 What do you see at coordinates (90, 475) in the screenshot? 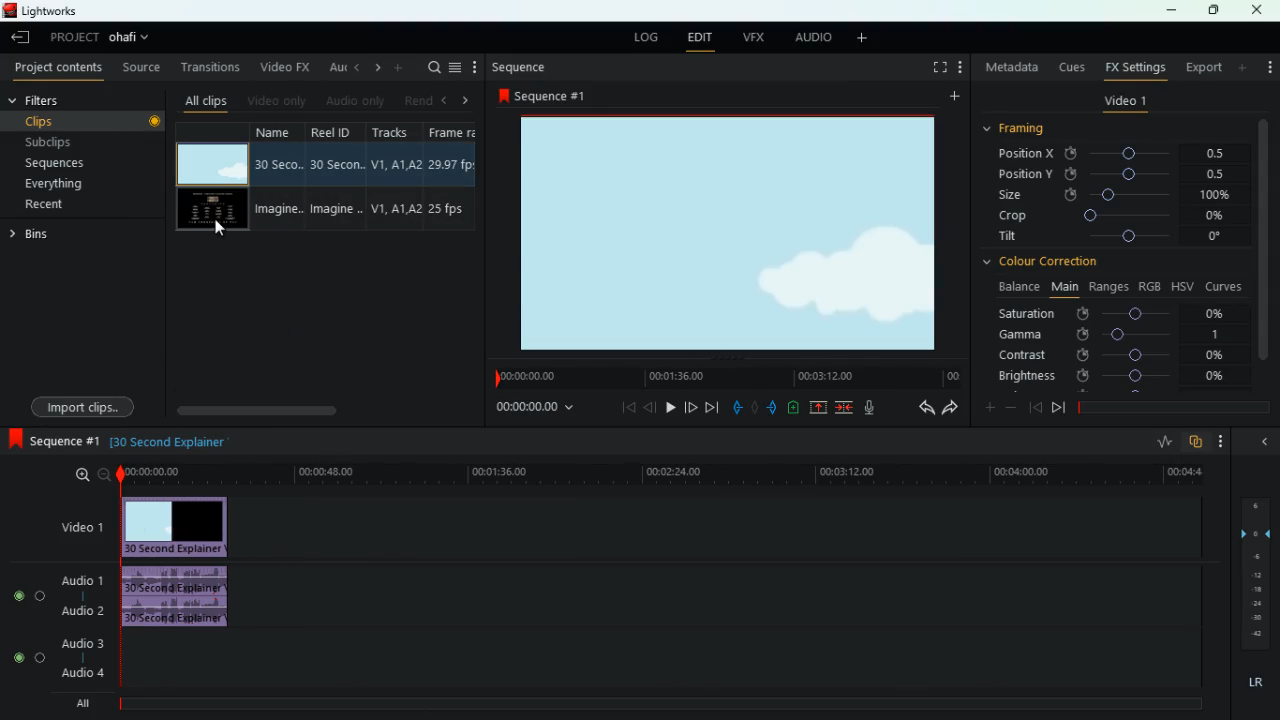
I see `zoom` at bounding box center [90, 475].